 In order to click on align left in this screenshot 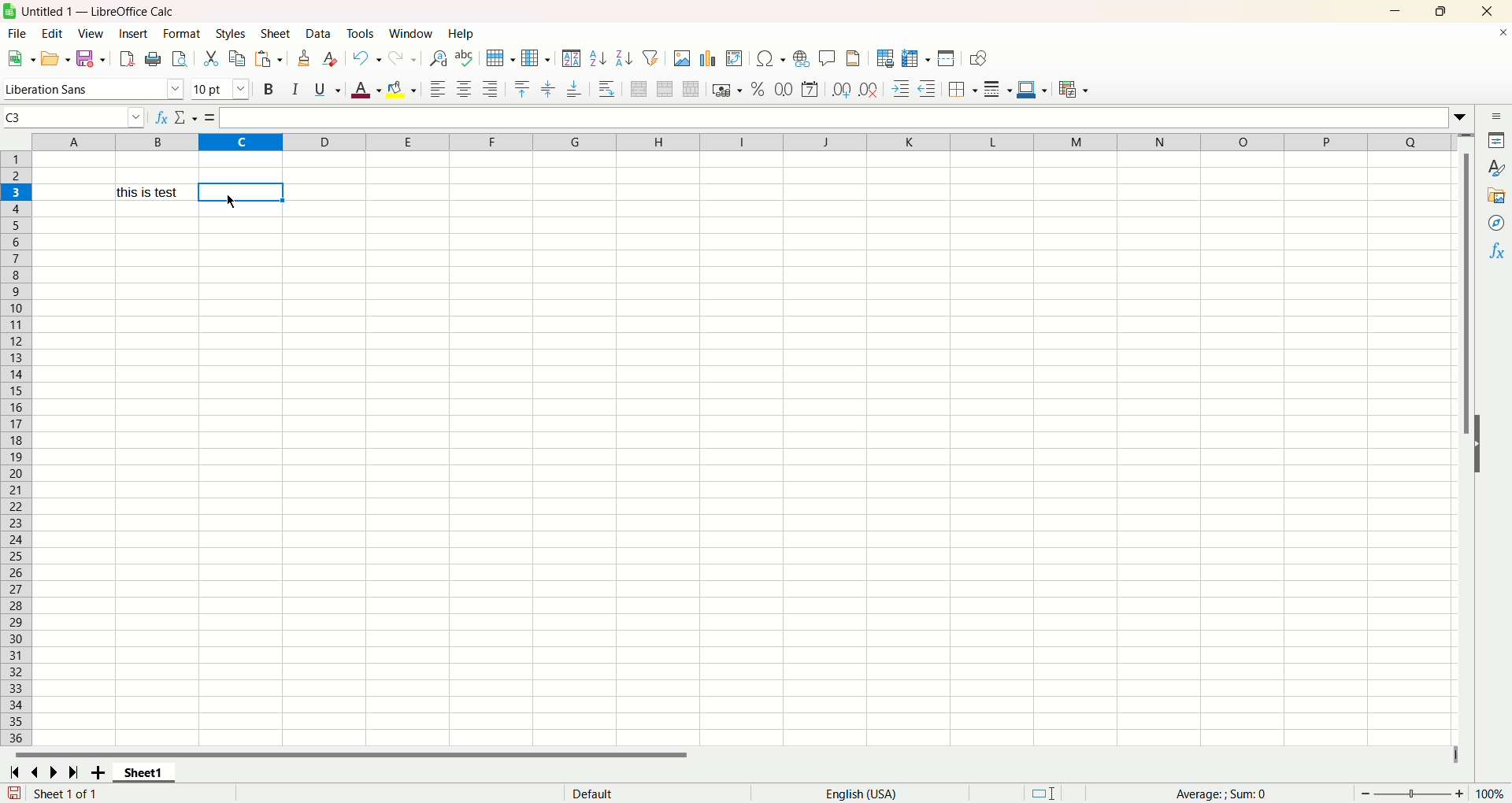, I will do `click(435, 90)`.